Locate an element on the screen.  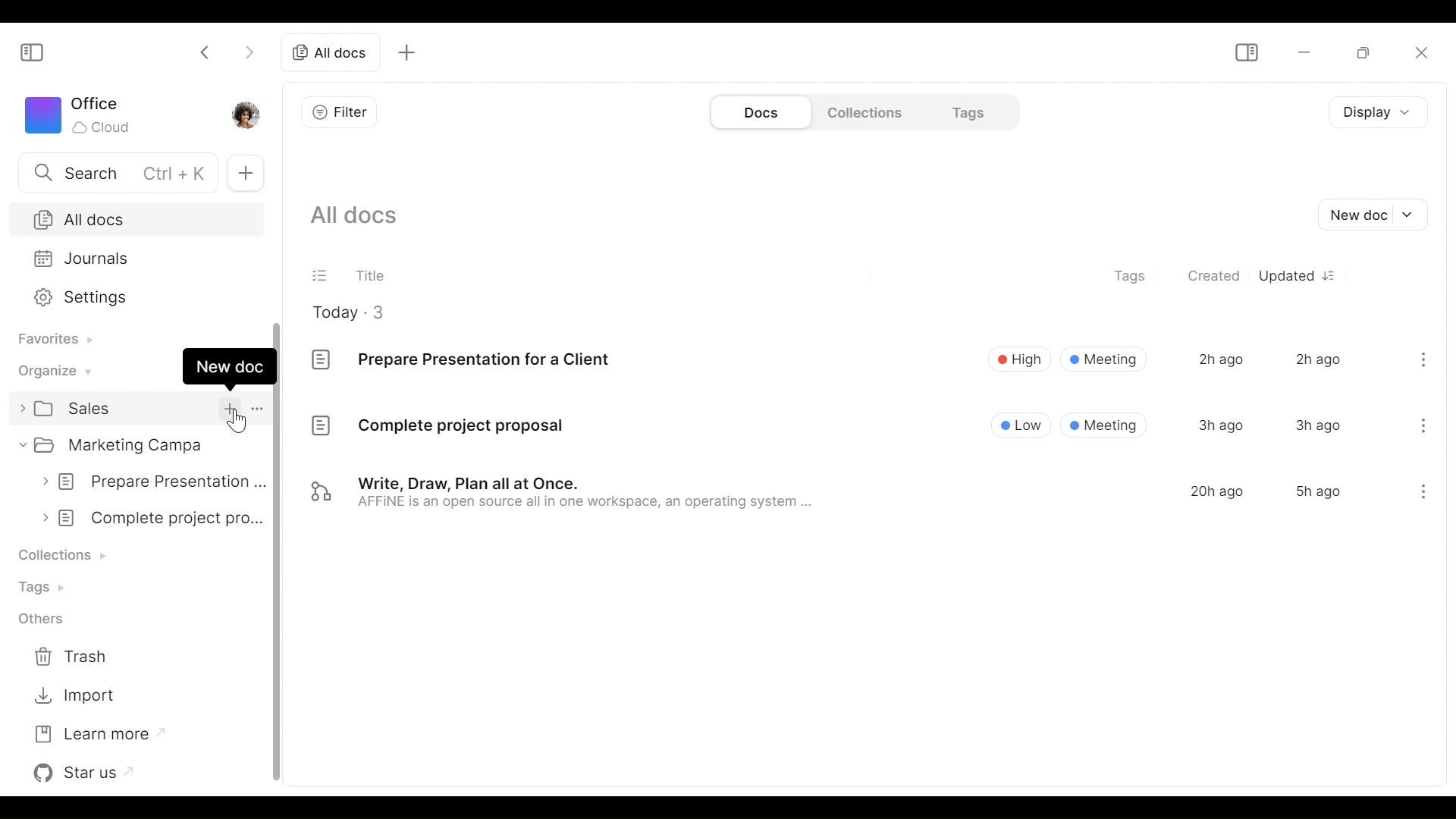
Click to go back is located at coordinates (206, 51).